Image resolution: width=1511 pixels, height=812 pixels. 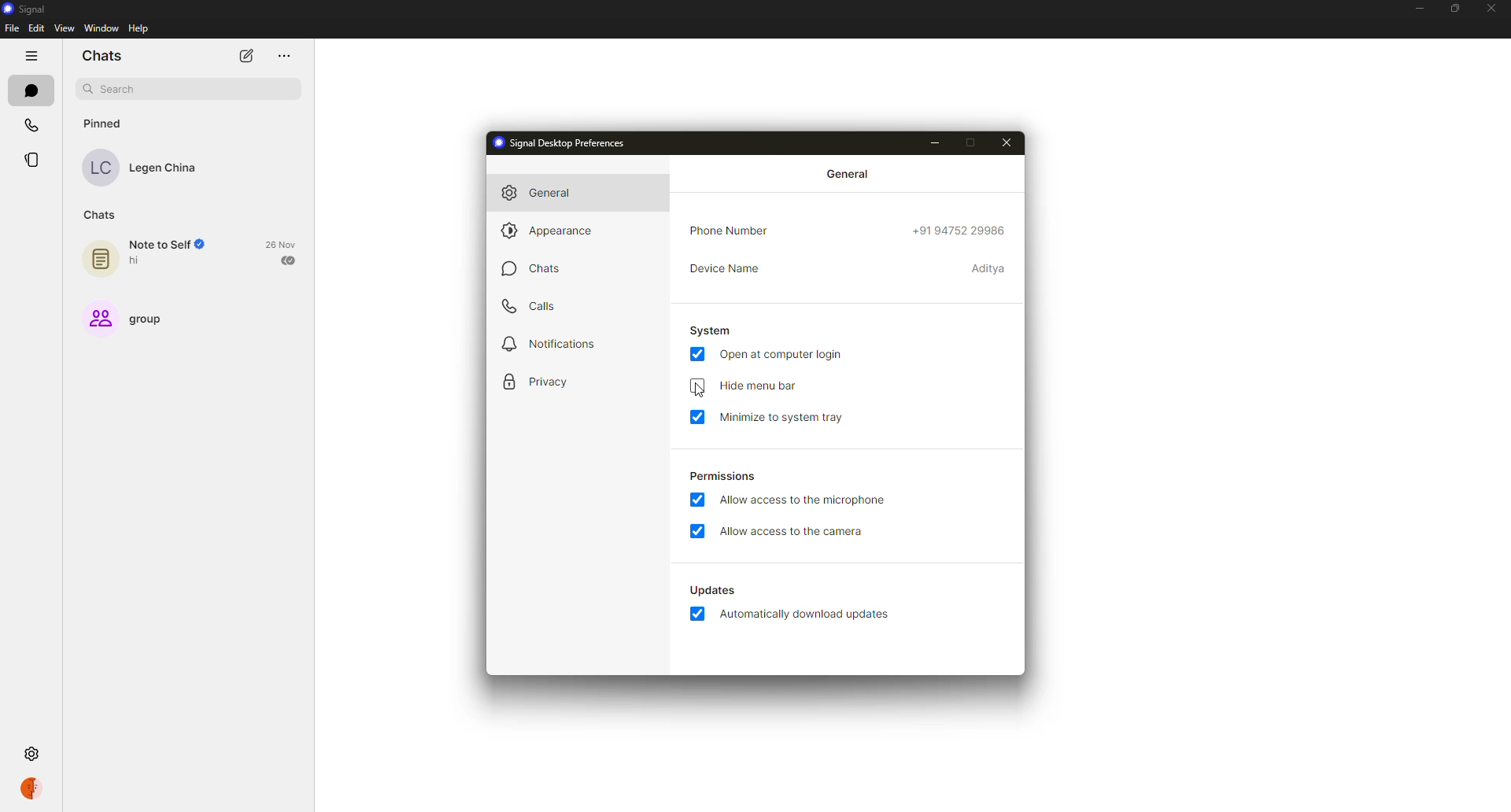 I want to click on hide tabs, so click(x=31, y=57).